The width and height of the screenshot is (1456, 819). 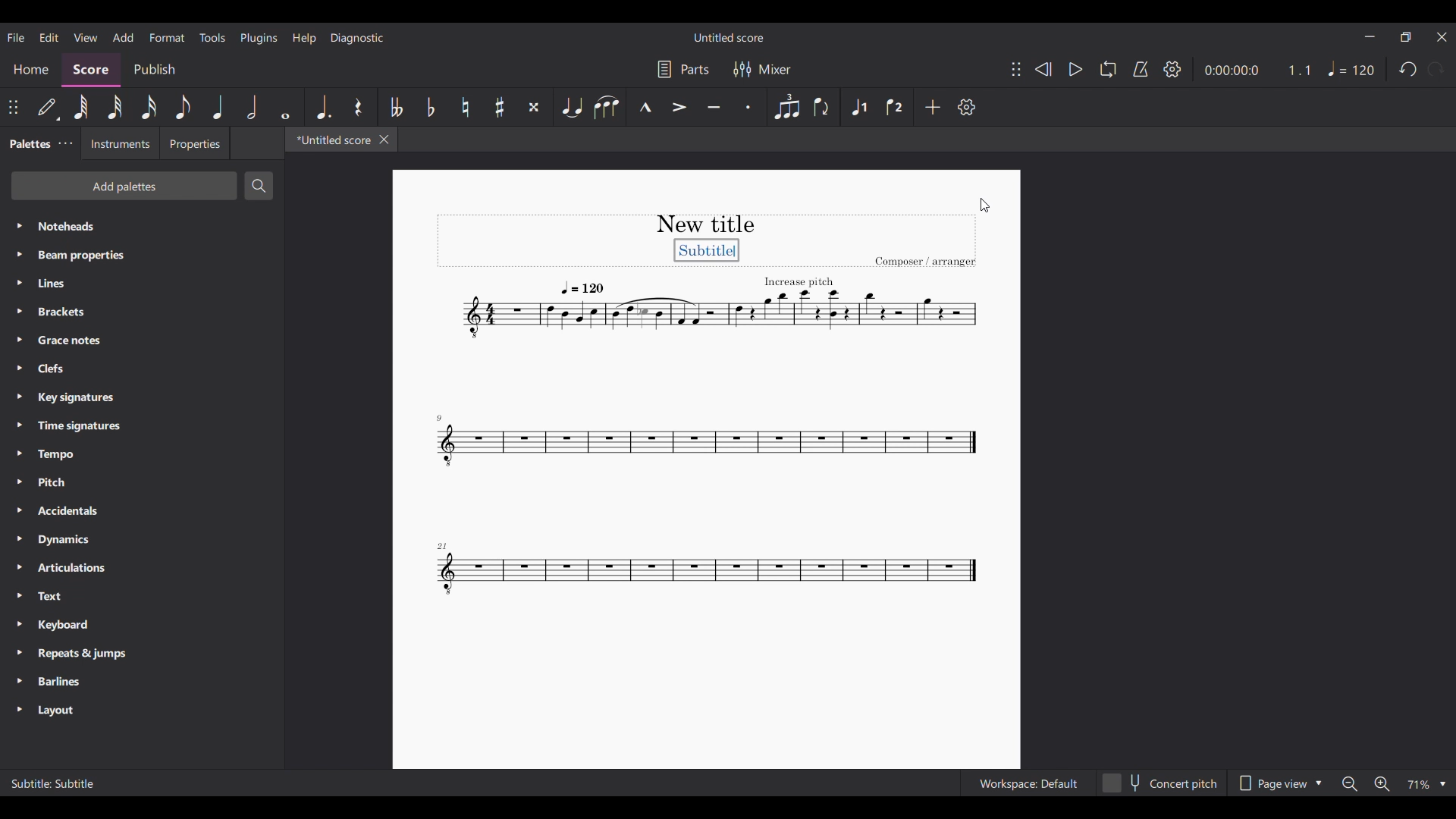 What do you see at coordinates (985, 206) in the screenshot?
I see `Cursor clicking on score` at bounding box center [985, 206].